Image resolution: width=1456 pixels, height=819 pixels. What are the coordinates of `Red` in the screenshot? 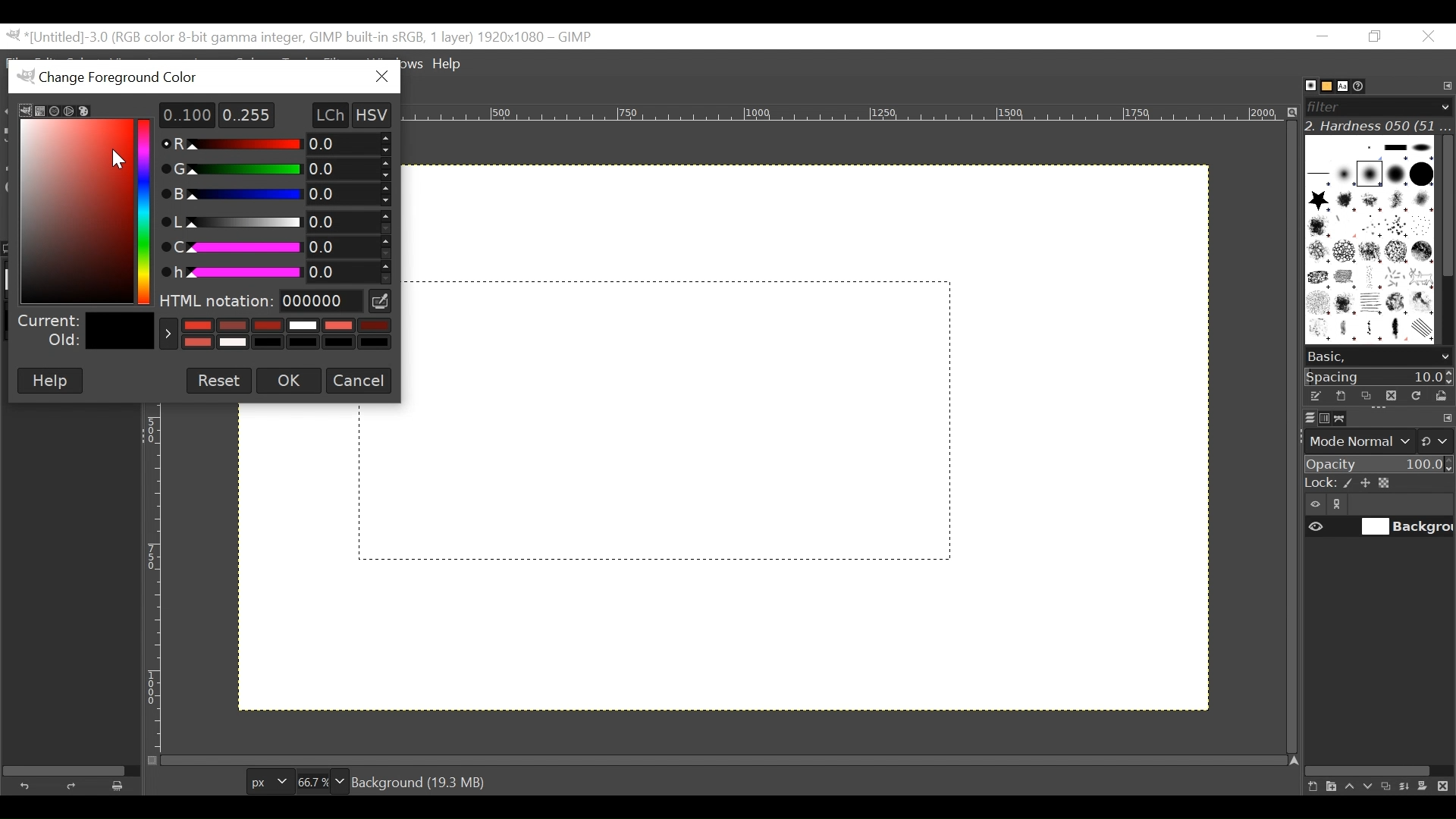 It's located at (279, 145).